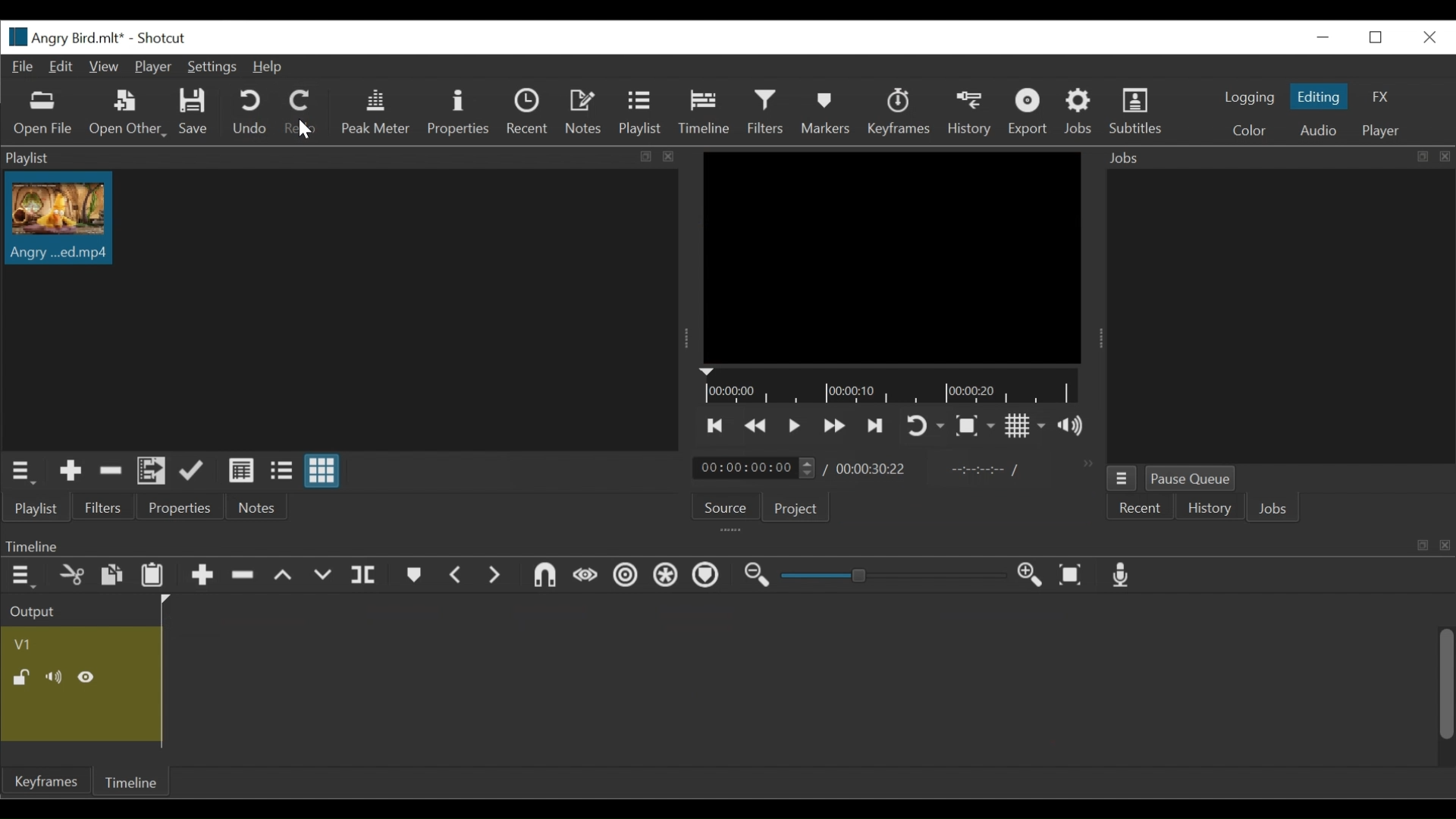  I want to click on Redo, so click(299, 111).